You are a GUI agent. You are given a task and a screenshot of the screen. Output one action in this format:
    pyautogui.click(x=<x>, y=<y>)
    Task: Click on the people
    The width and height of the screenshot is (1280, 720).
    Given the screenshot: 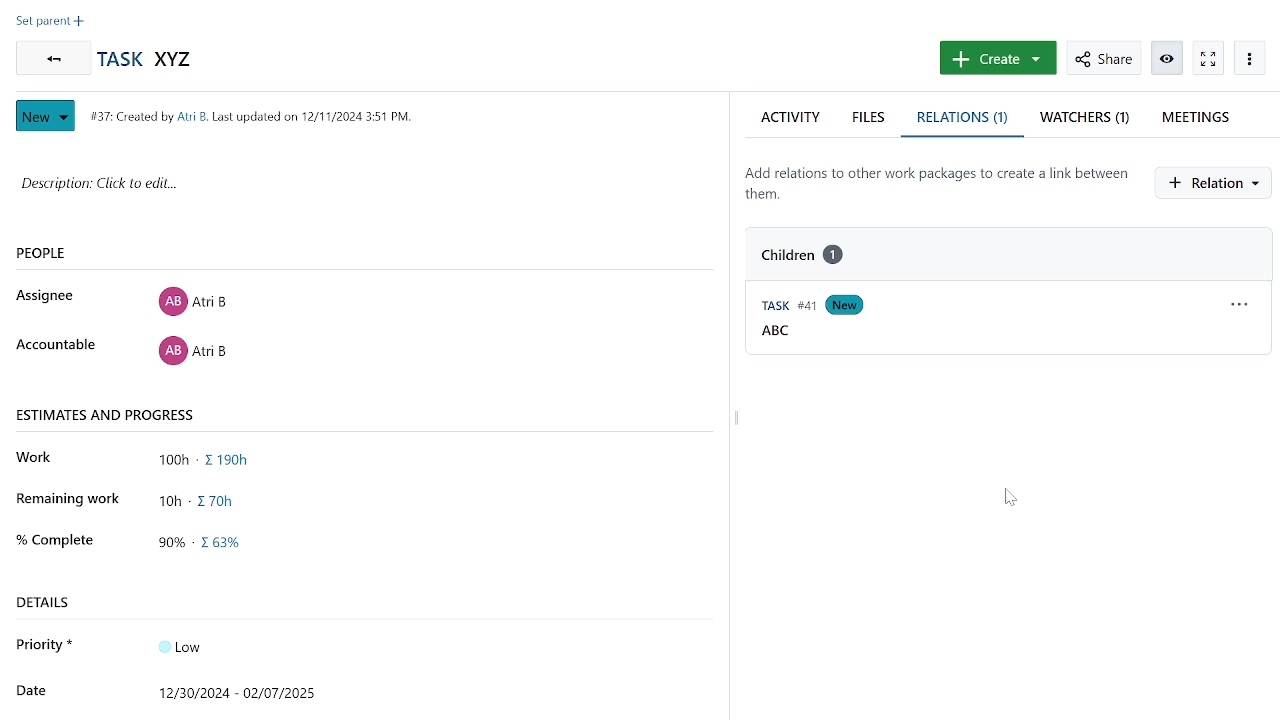 What is the action you would take?
    pyautogui.click(x=74, y=254)
    